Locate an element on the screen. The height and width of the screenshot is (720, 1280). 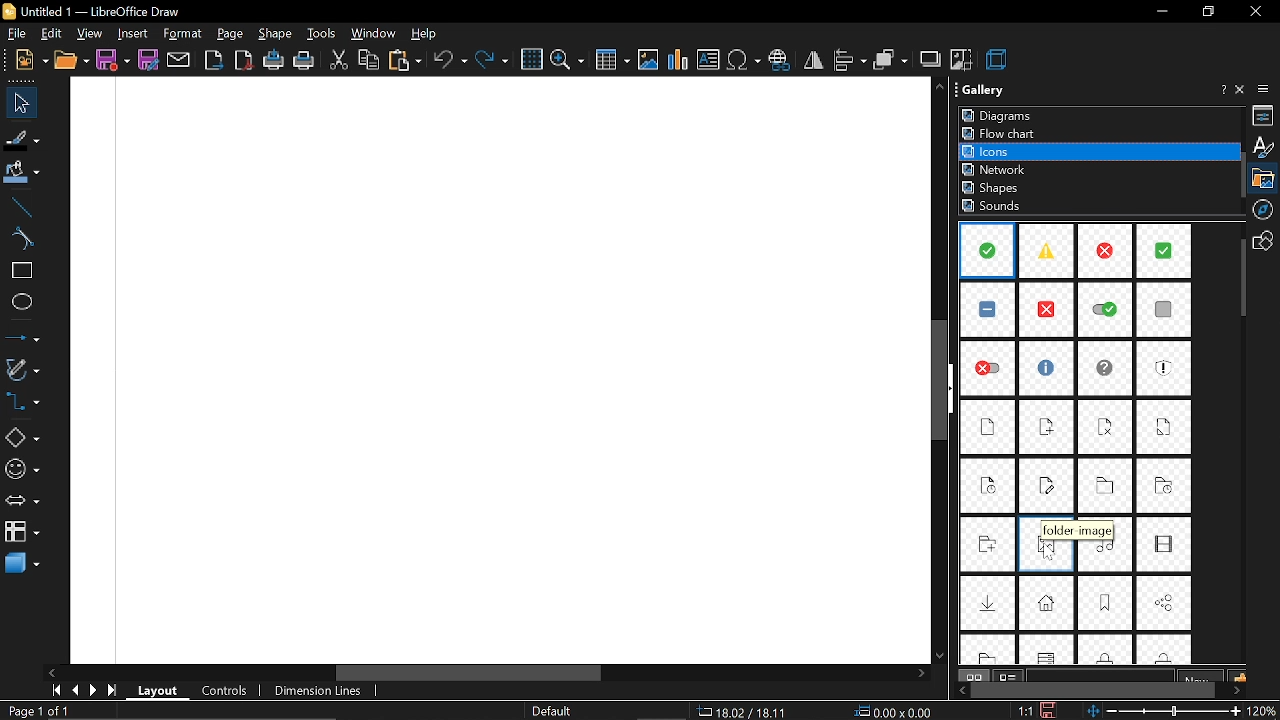
connector is located at coordinates (21, 404).